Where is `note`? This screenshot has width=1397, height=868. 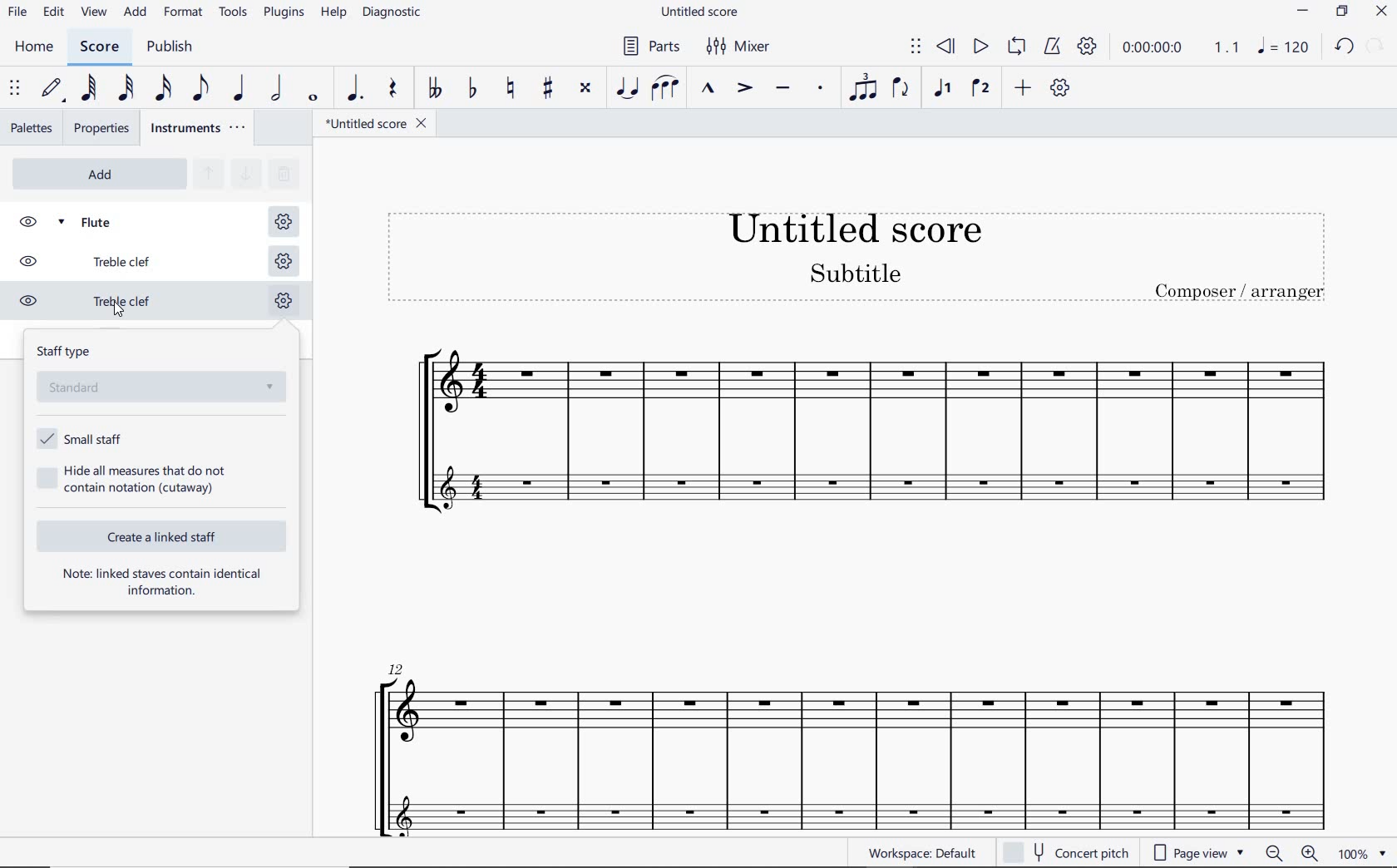 note is located at coordinates (1287, 46).